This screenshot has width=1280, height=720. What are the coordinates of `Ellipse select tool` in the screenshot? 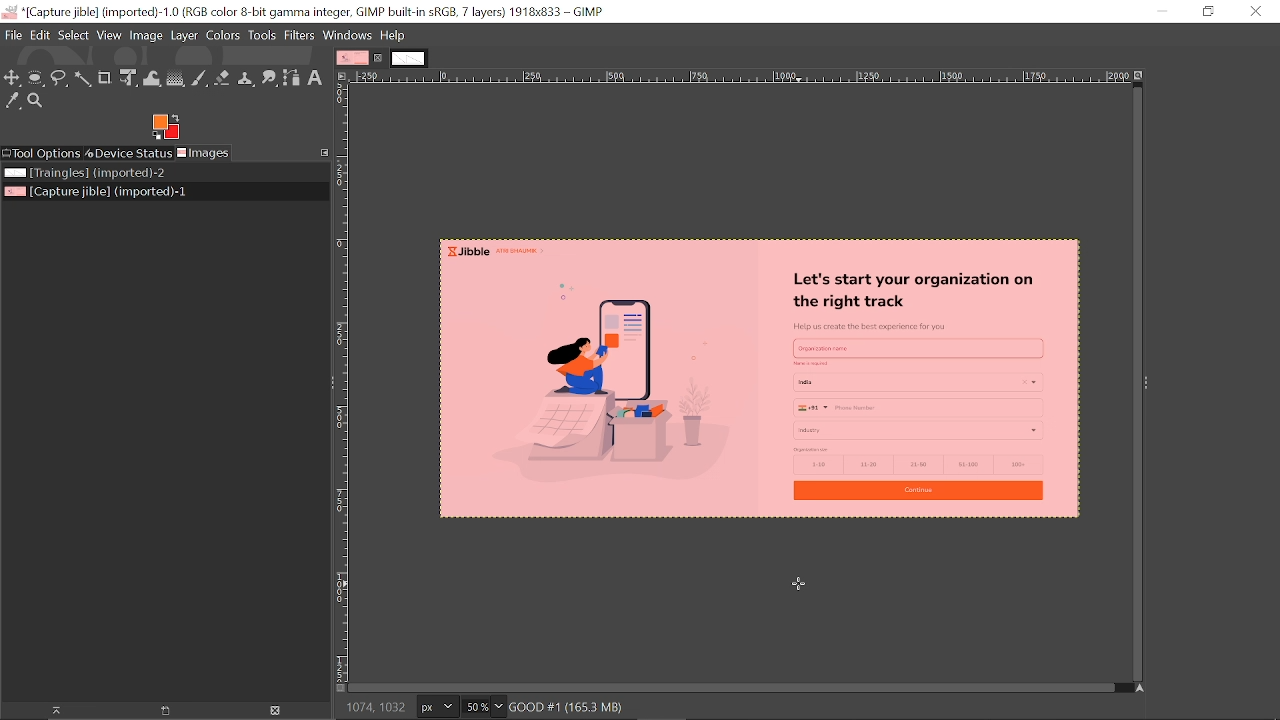 It's located at (36, 79).